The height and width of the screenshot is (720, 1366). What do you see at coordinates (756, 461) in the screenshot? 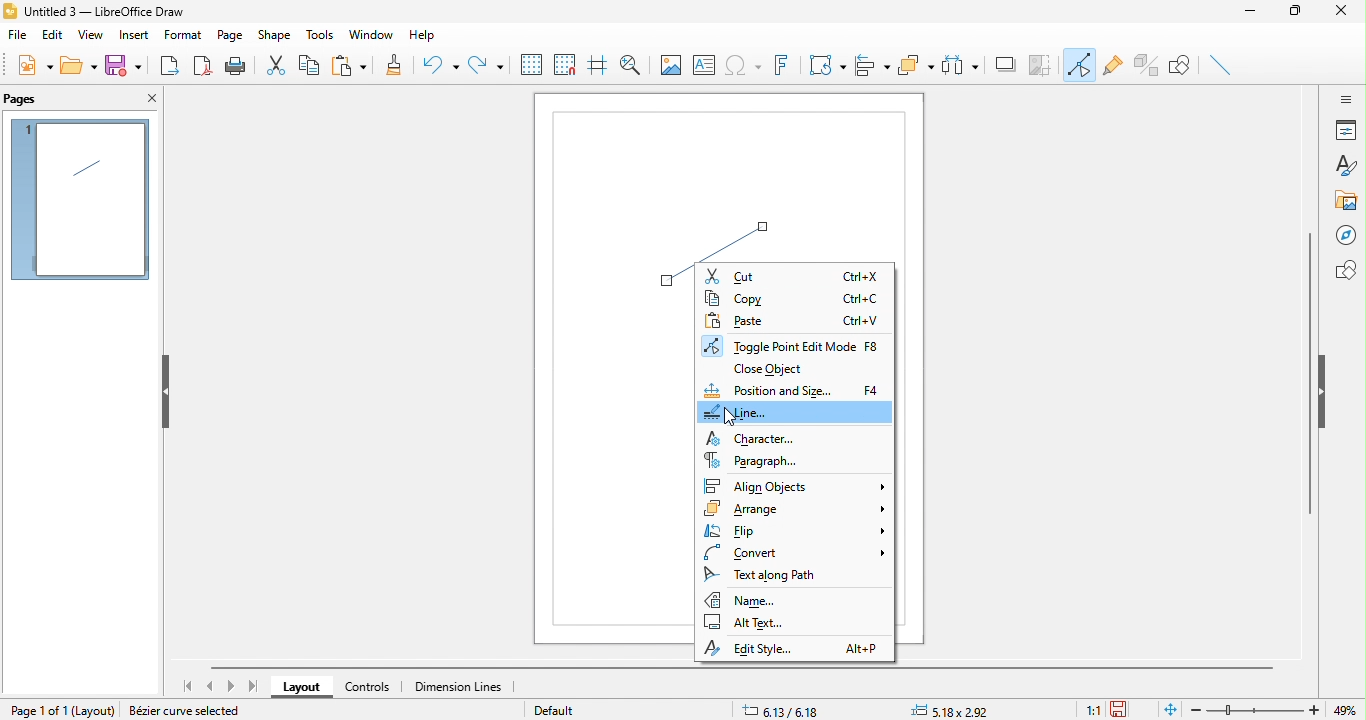
I see `paragraph` at bounding box center [756, 461].